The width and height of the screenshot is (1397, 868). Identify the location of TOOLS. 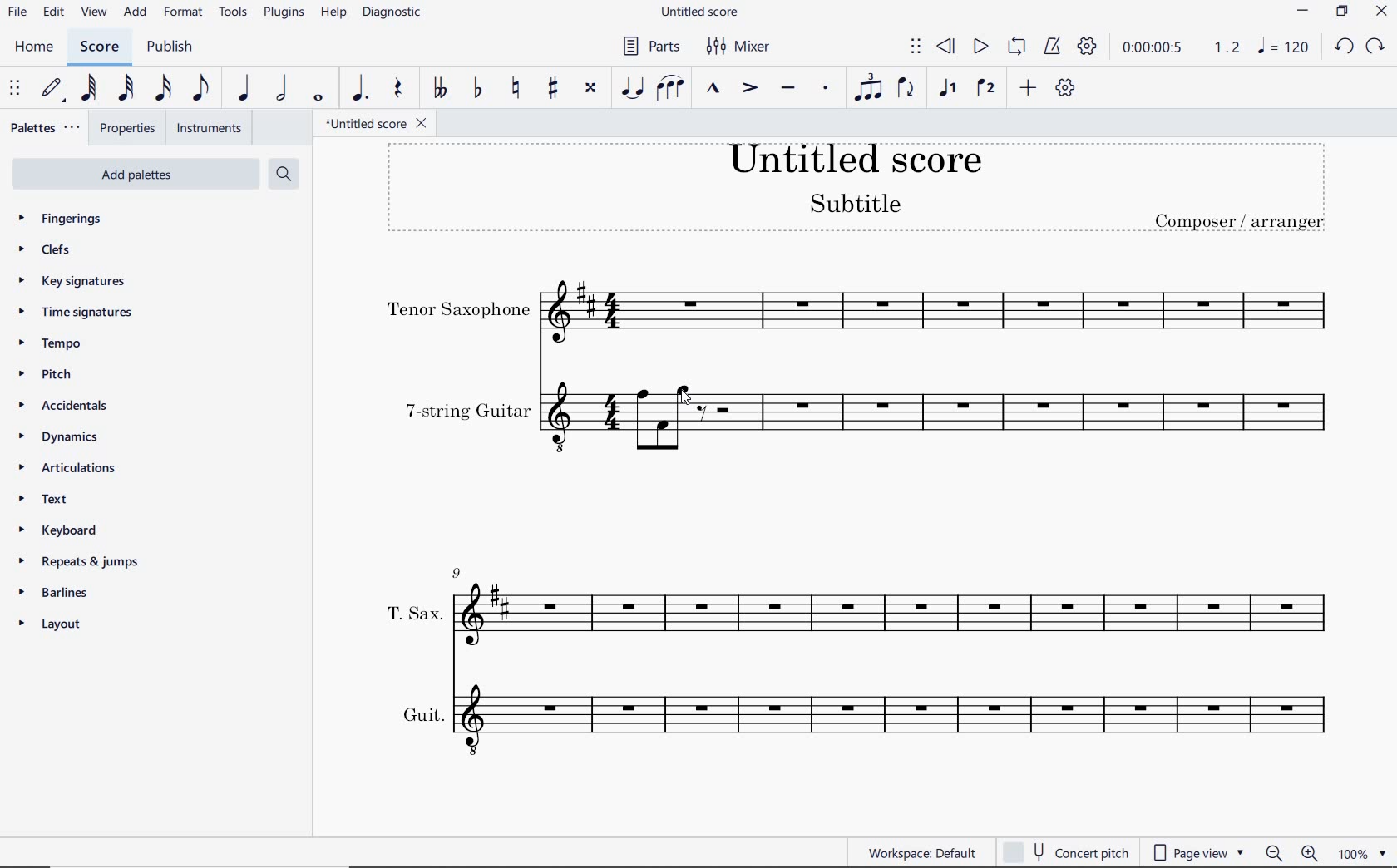
(234, 13).